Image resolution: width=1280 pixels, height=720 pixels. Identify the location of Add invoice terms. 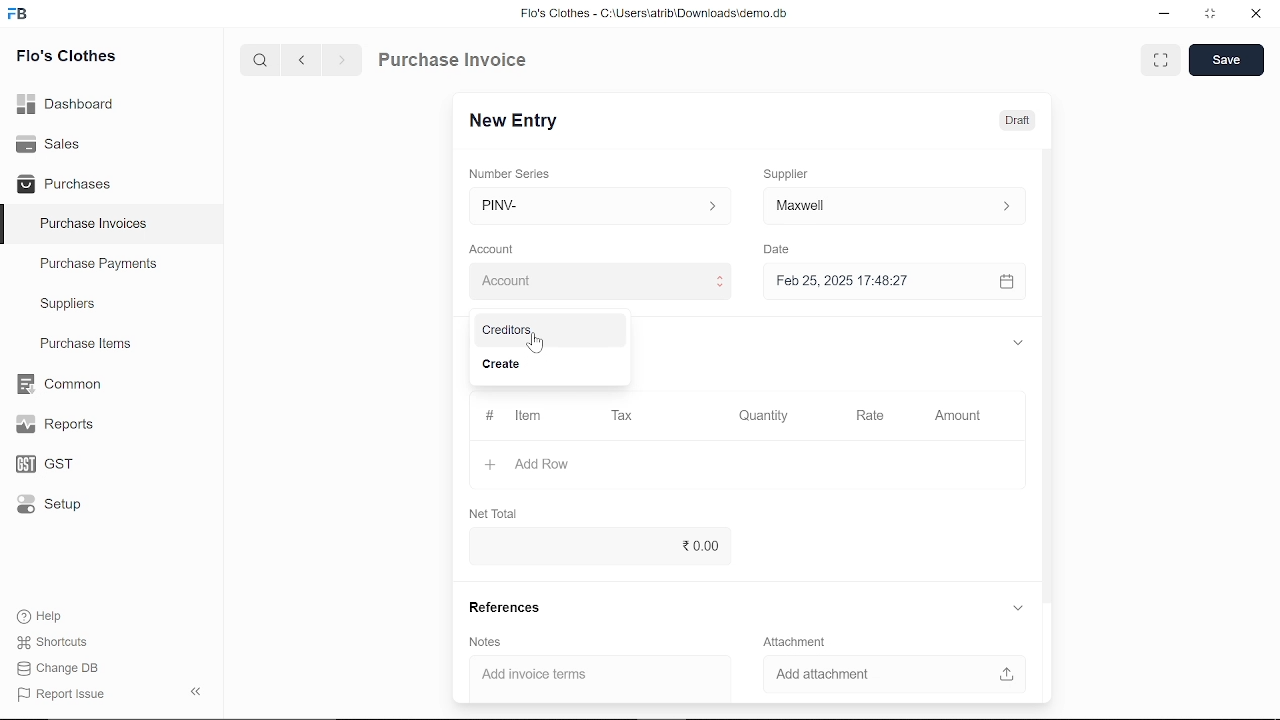
(590, 675).